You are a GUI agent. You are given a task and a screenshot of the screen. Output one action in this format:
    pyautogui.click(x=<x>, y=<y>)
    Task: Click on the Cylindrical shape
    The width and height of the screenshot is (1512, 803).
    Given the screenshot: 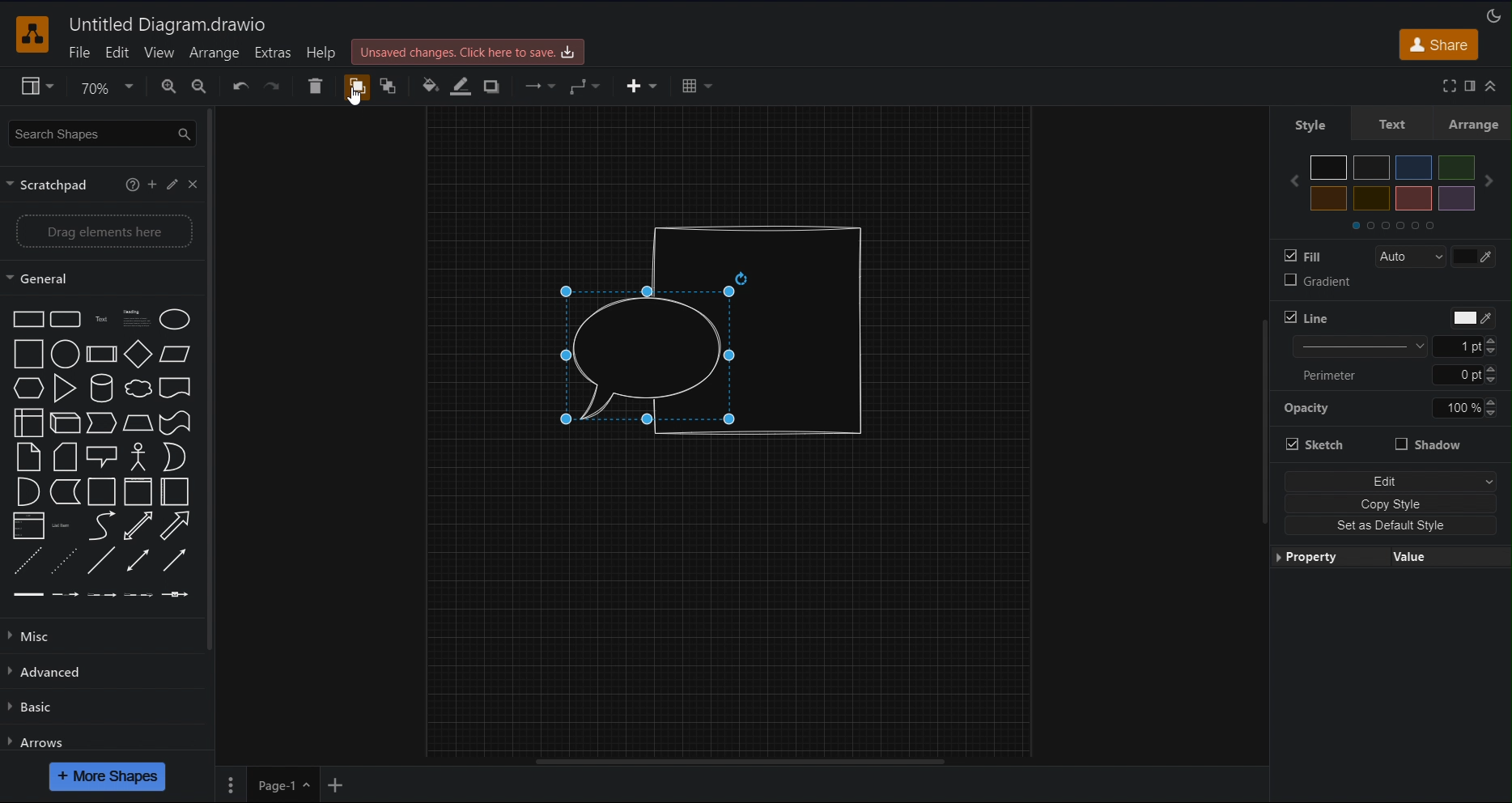 What is the action you would take?
    pyautogui.click(x=809, y=330)
    